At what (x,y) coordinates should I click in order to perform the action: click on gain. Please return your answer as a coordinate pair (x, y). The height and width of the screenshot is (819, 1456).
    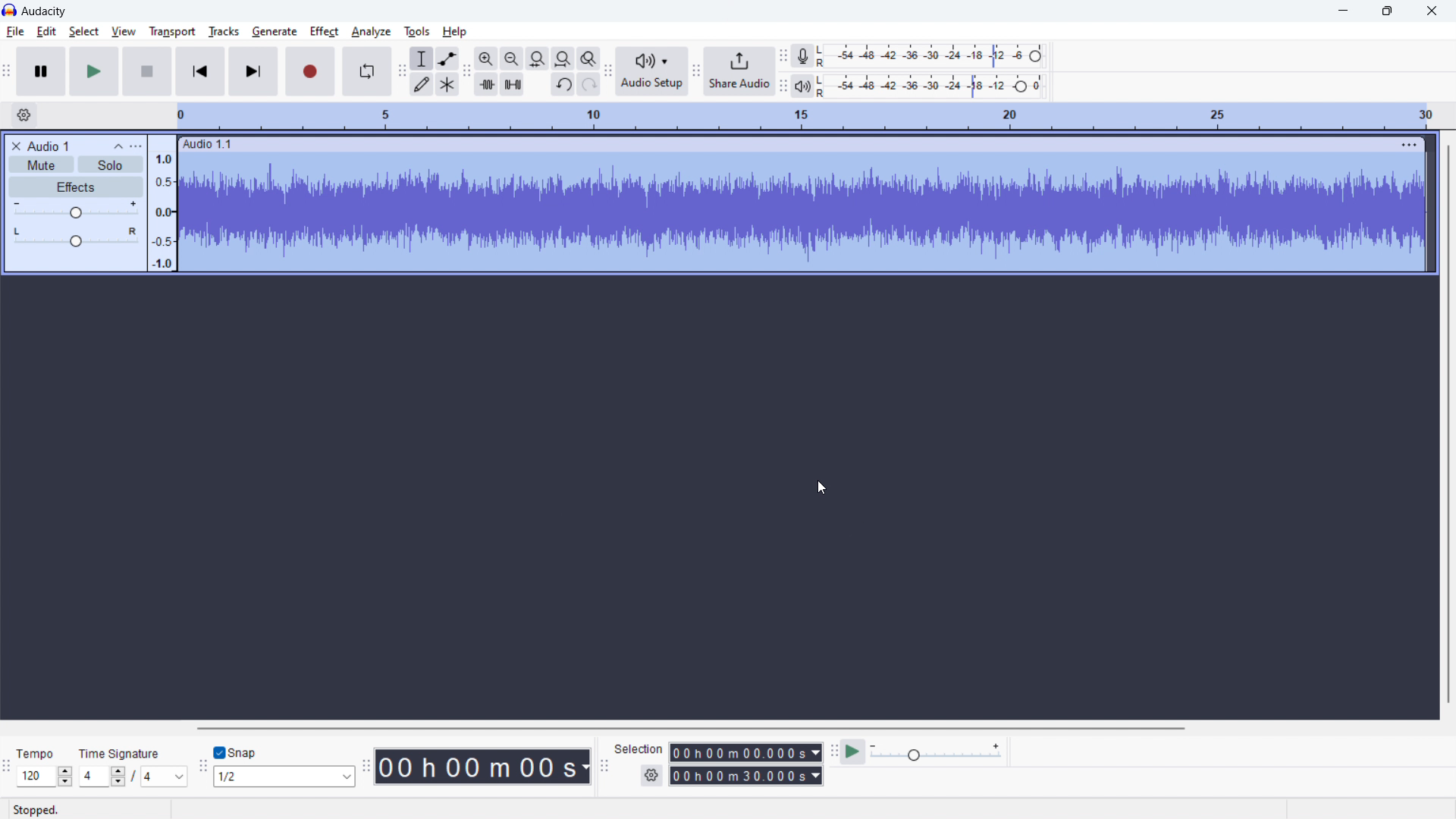
    Looking at the image, I should click on (75, 210).